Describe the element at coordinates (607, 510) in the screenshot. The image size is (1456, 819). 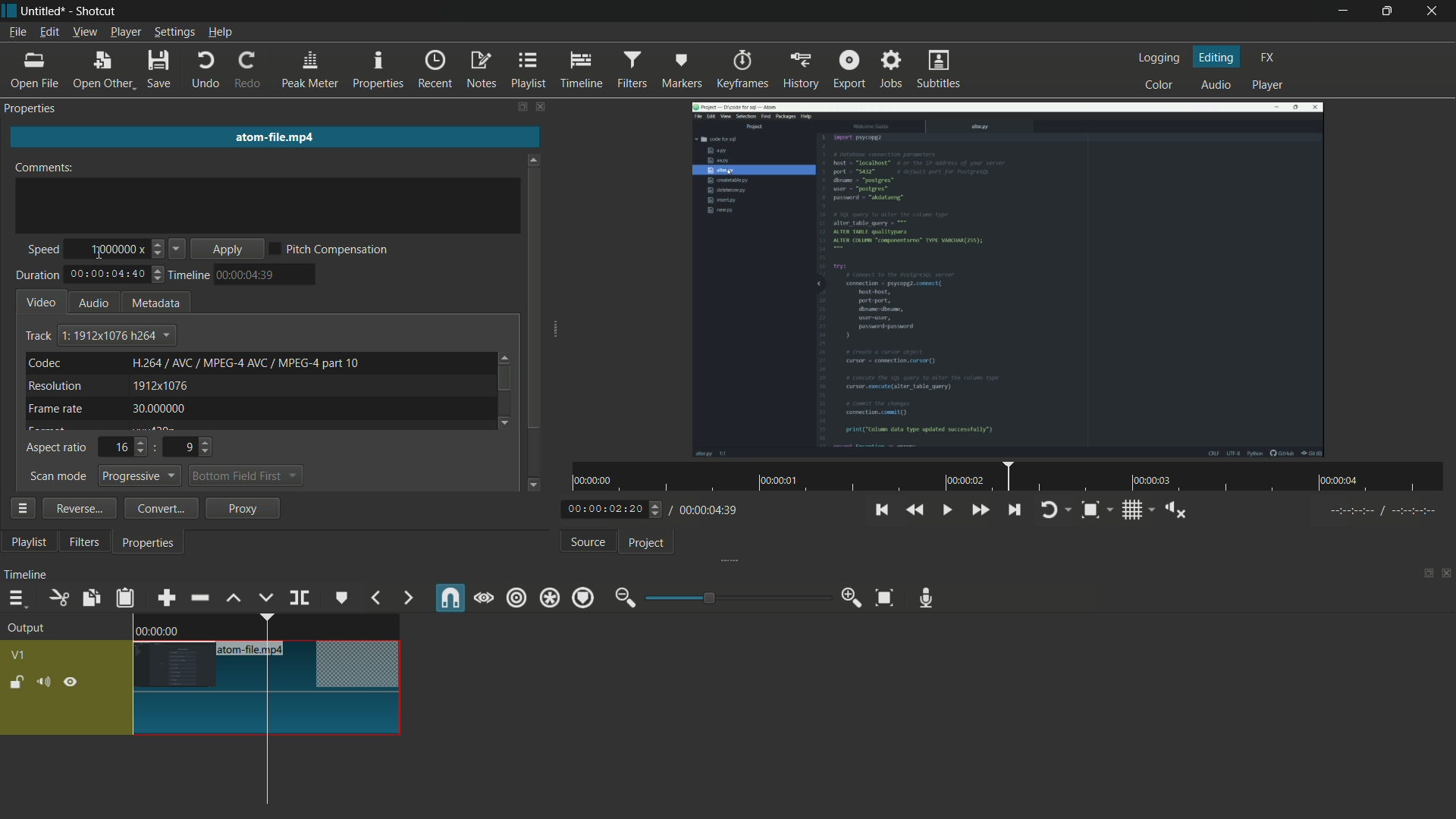
I see `current time` at that location.